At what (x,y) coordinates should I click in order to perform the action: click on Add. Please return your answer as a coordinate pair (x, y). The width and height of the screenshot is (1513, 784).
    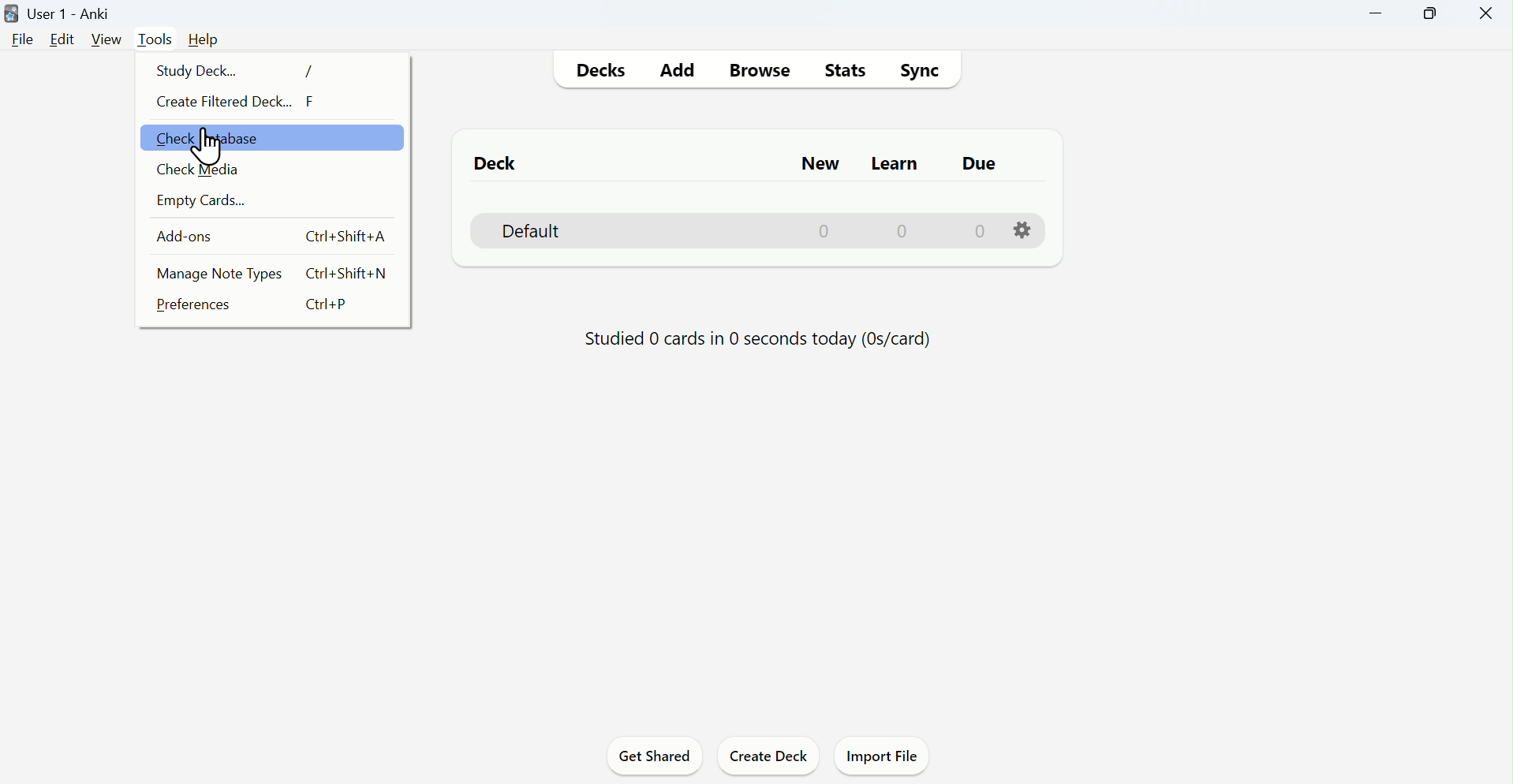
    Looking at the image, I should click on (679, 70).